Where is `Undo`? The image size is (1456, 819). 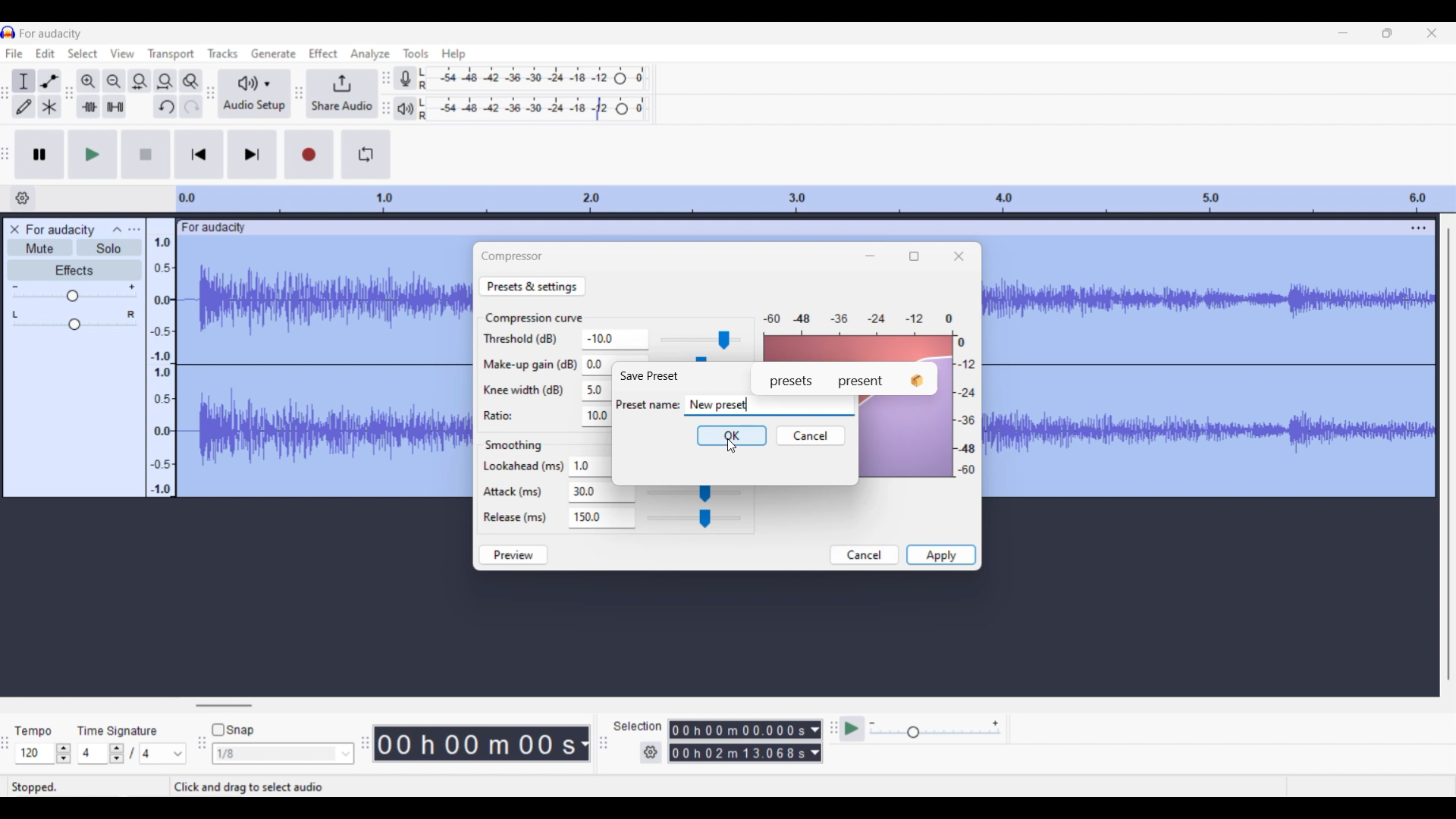 Undo is located at coordinates (165, 106).